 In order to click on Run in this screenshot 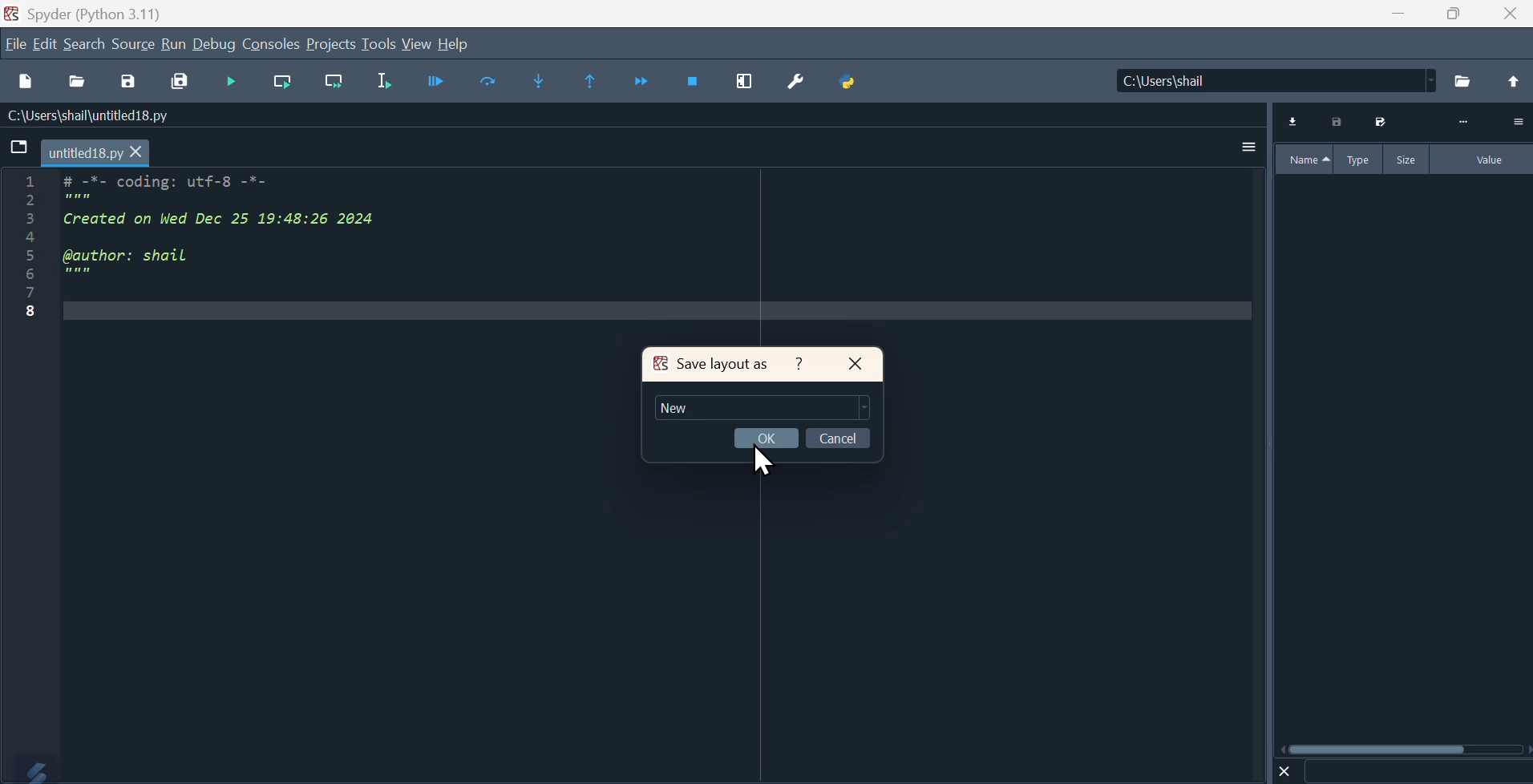, I will do `click(173, 43)`.